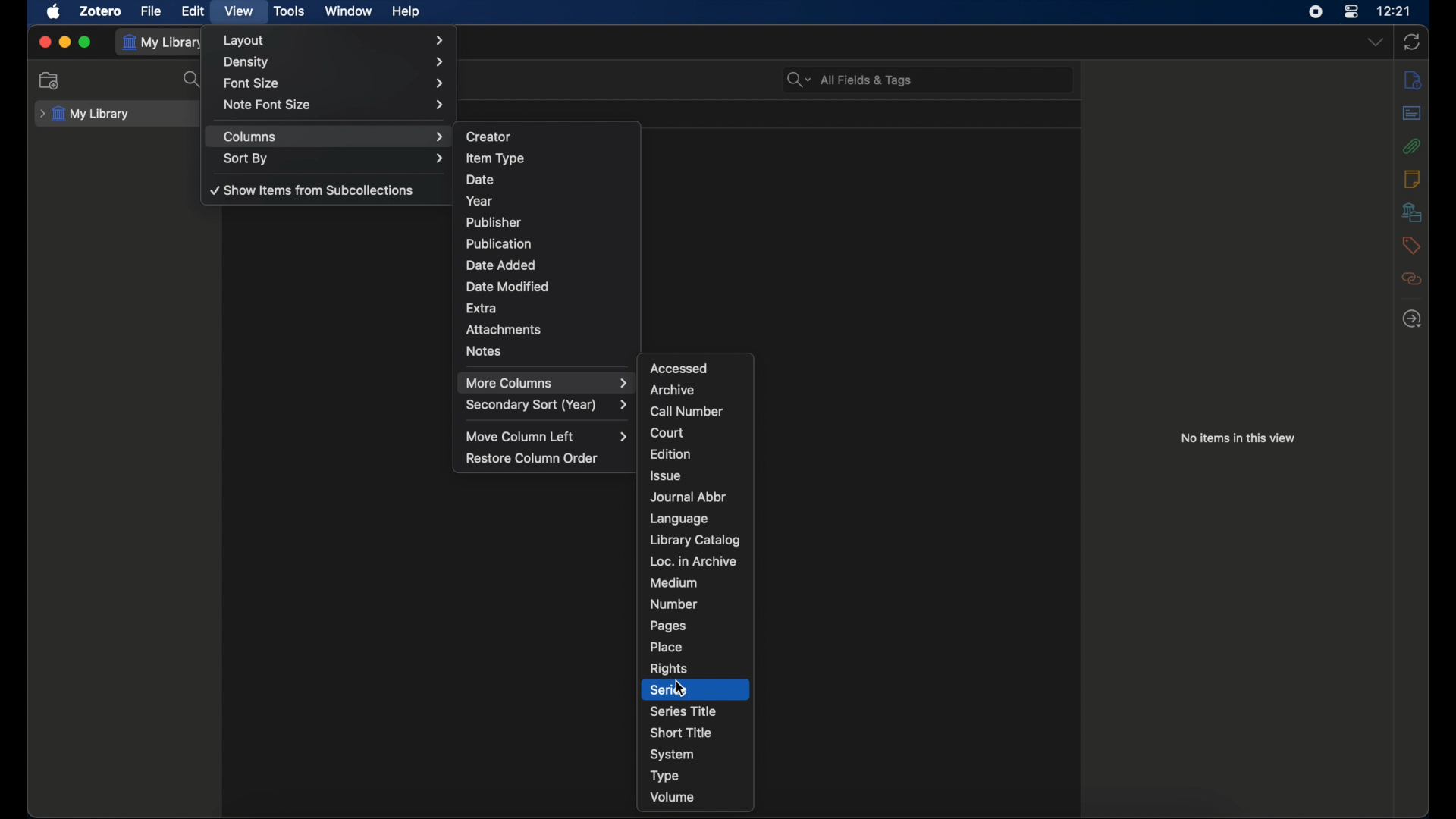  What do you see at coordinates (1412, 179) in the screenshot?
I see `notes` at bounding box center [1412, 179].